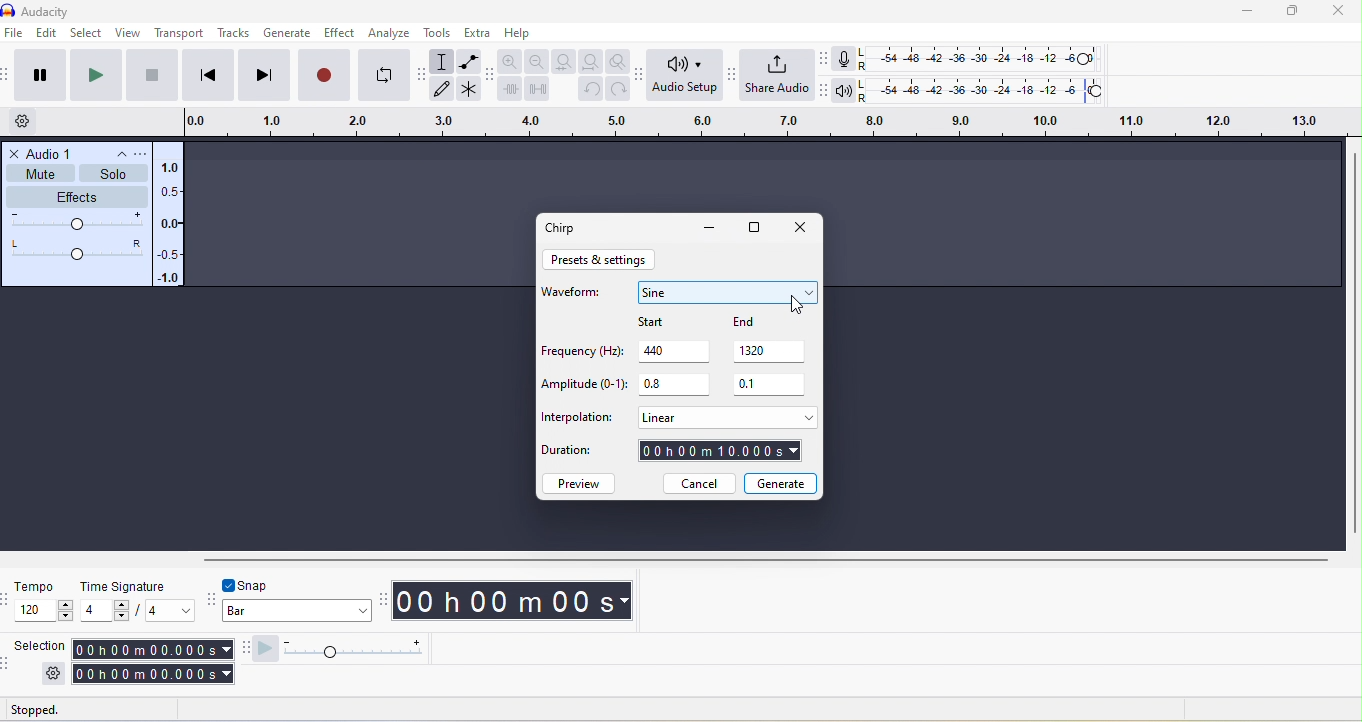  Describe the element at coordinates (590, 62) in the screenshot. I see `fit project to width` at that location.